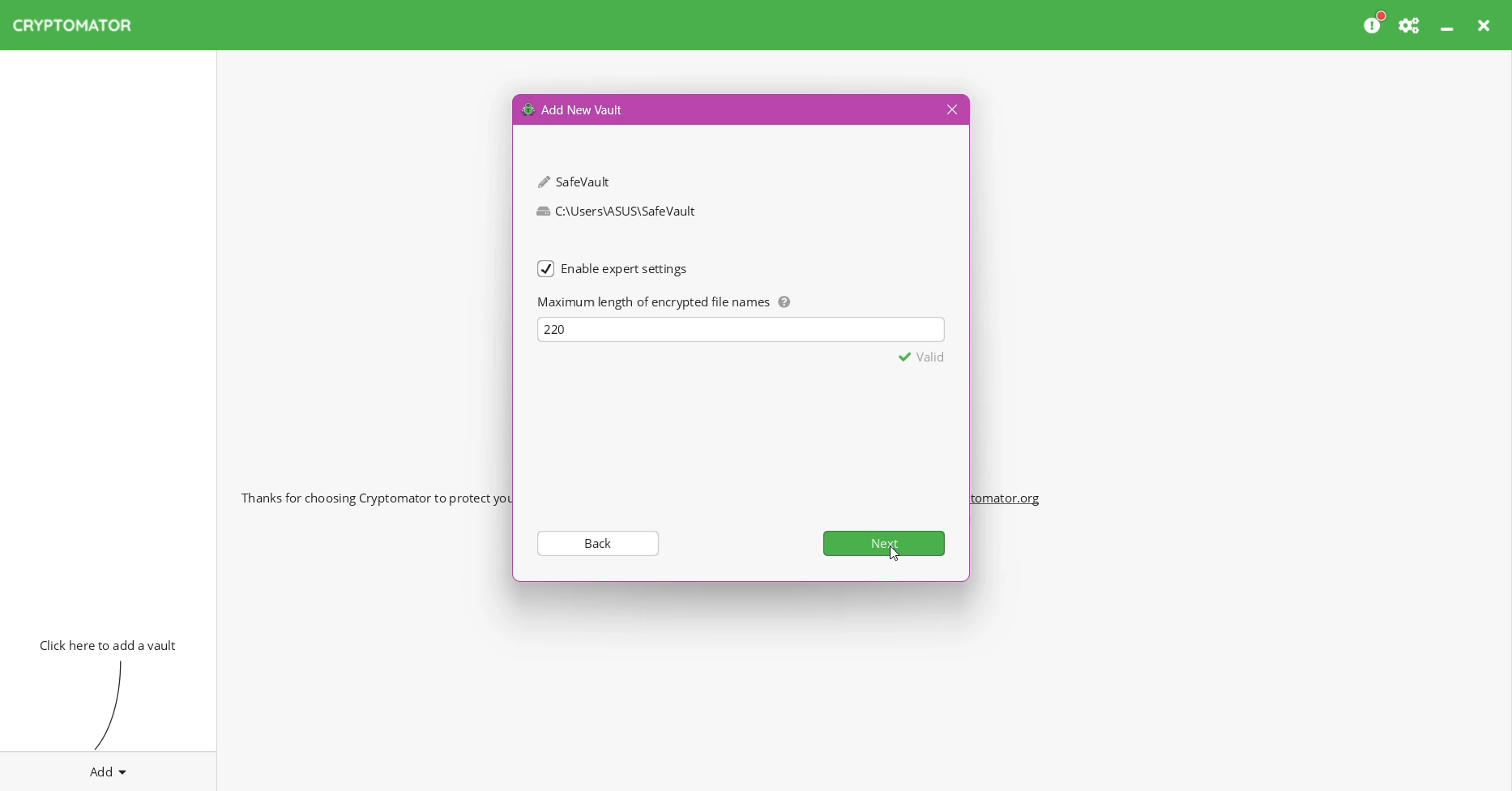 Image resolution: width=1512 pixels, height=791 pixels. I want to click on Maximum length of encrypted file names, so click(741, 329).